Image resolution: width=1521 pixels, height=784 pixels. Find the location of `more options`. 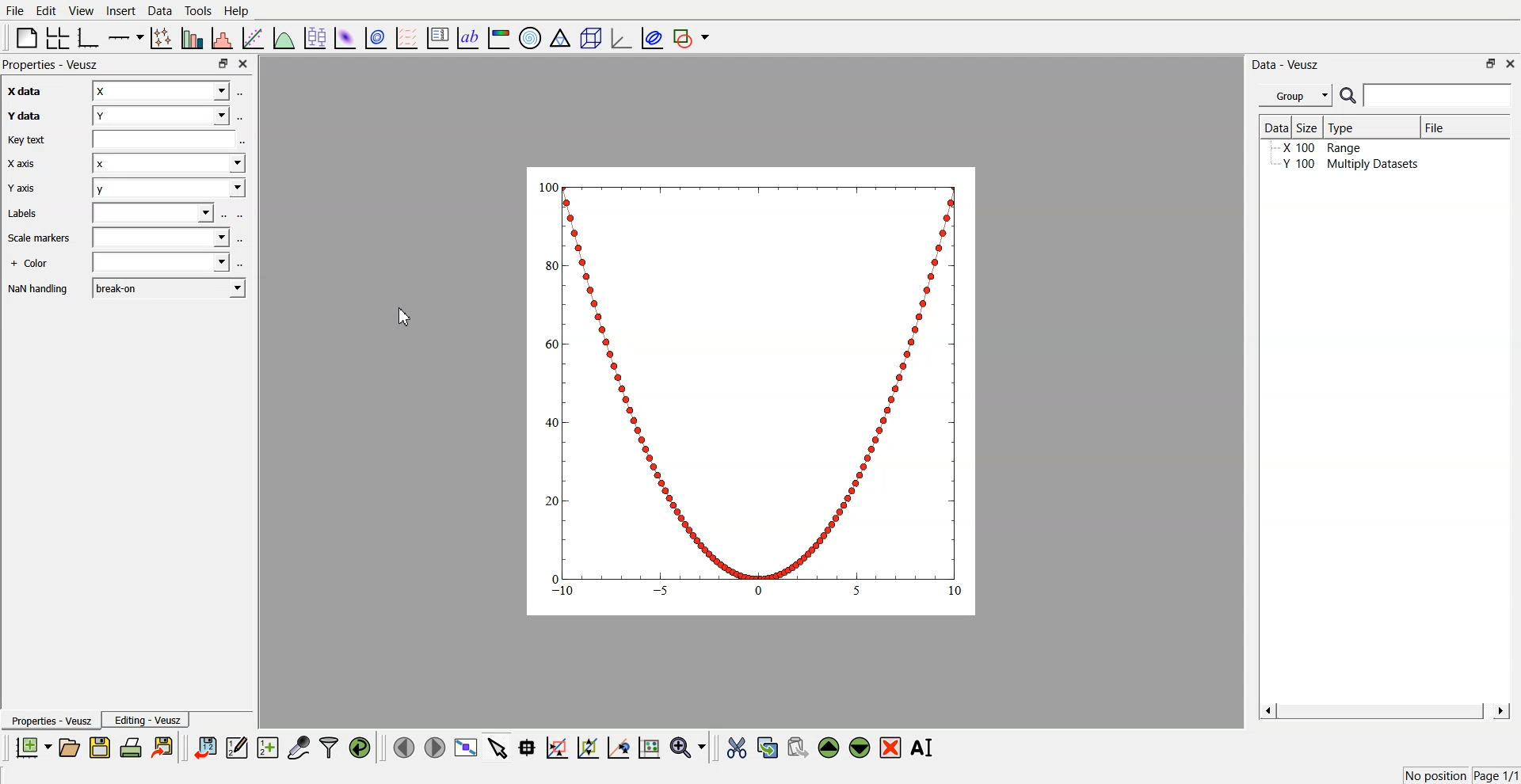

more options is located at coordinates (245, 240).